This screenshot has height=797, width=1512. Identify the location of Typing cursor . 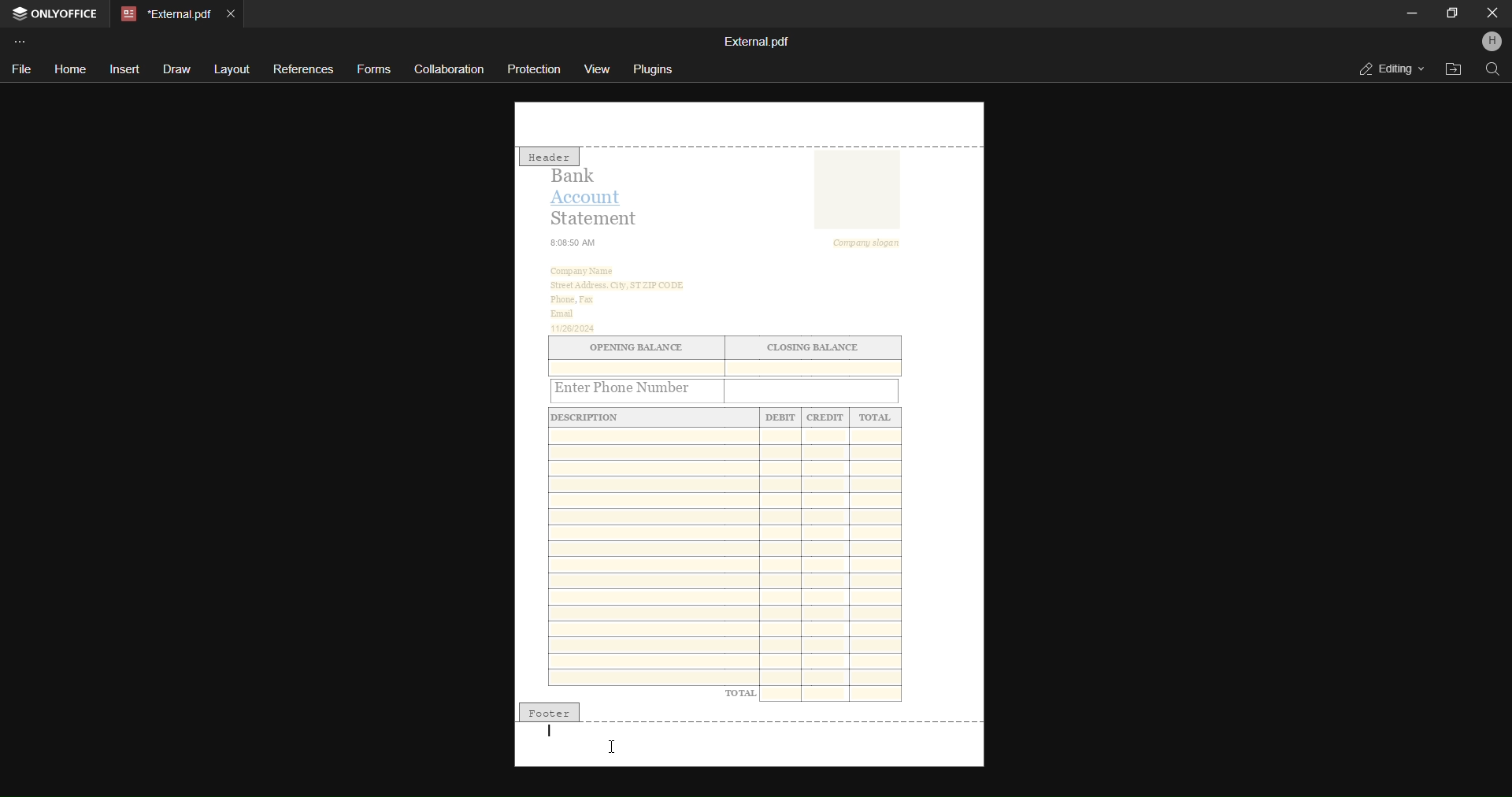
(551, 730).